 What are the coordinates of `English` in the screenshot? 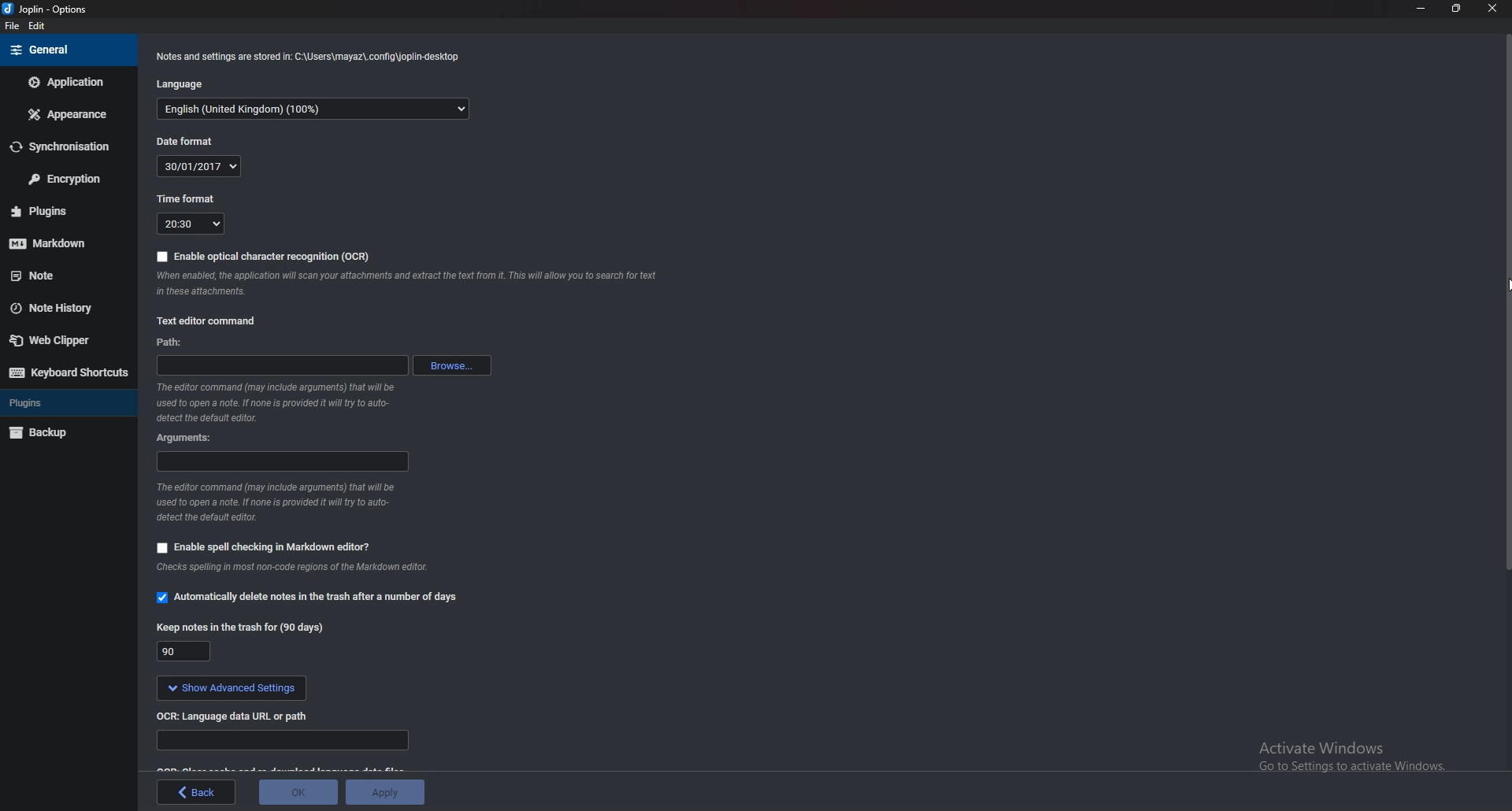 It's located at (311, 110).